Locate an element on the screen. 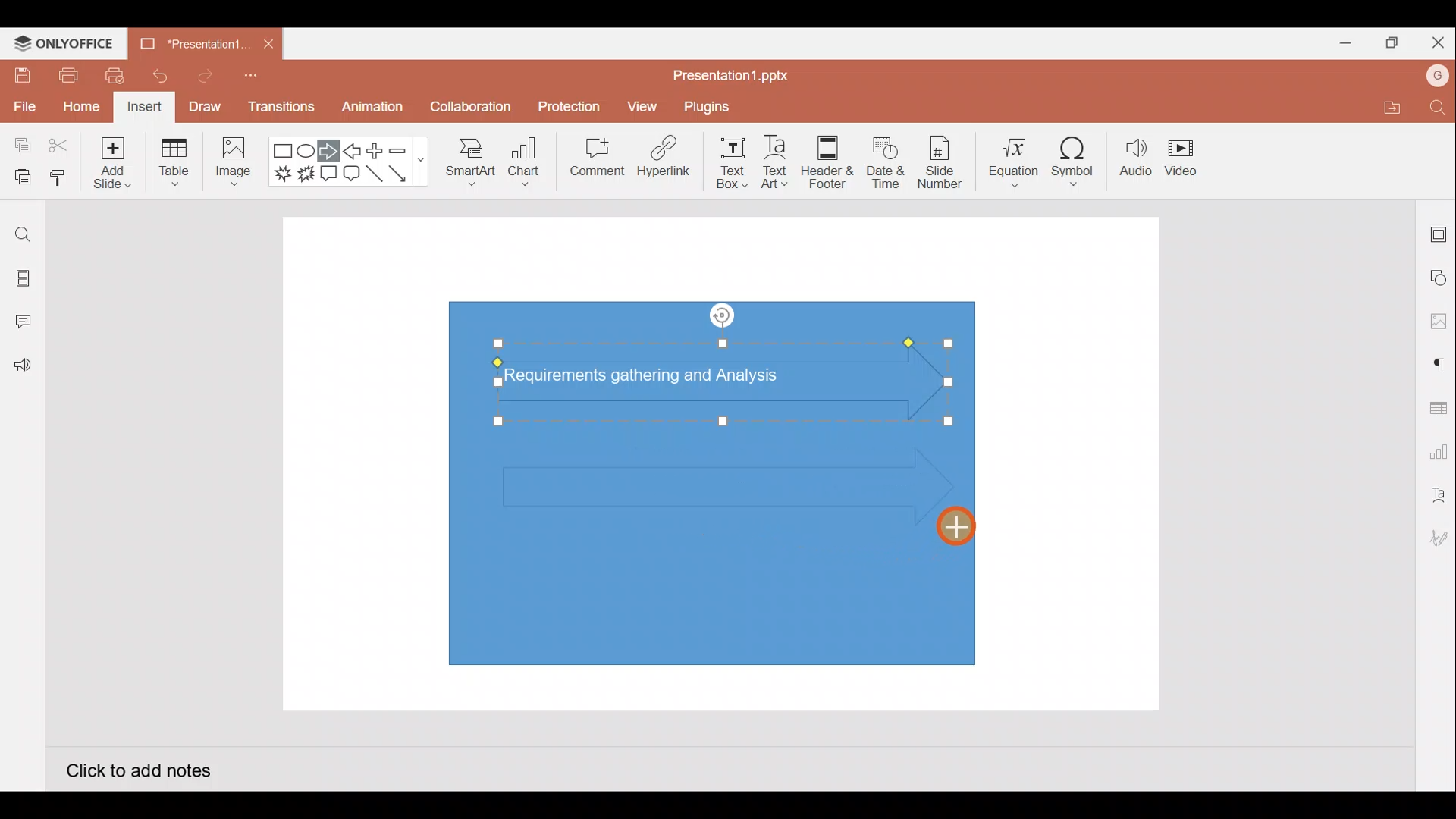  Comment is located at coordinates (591, 160).